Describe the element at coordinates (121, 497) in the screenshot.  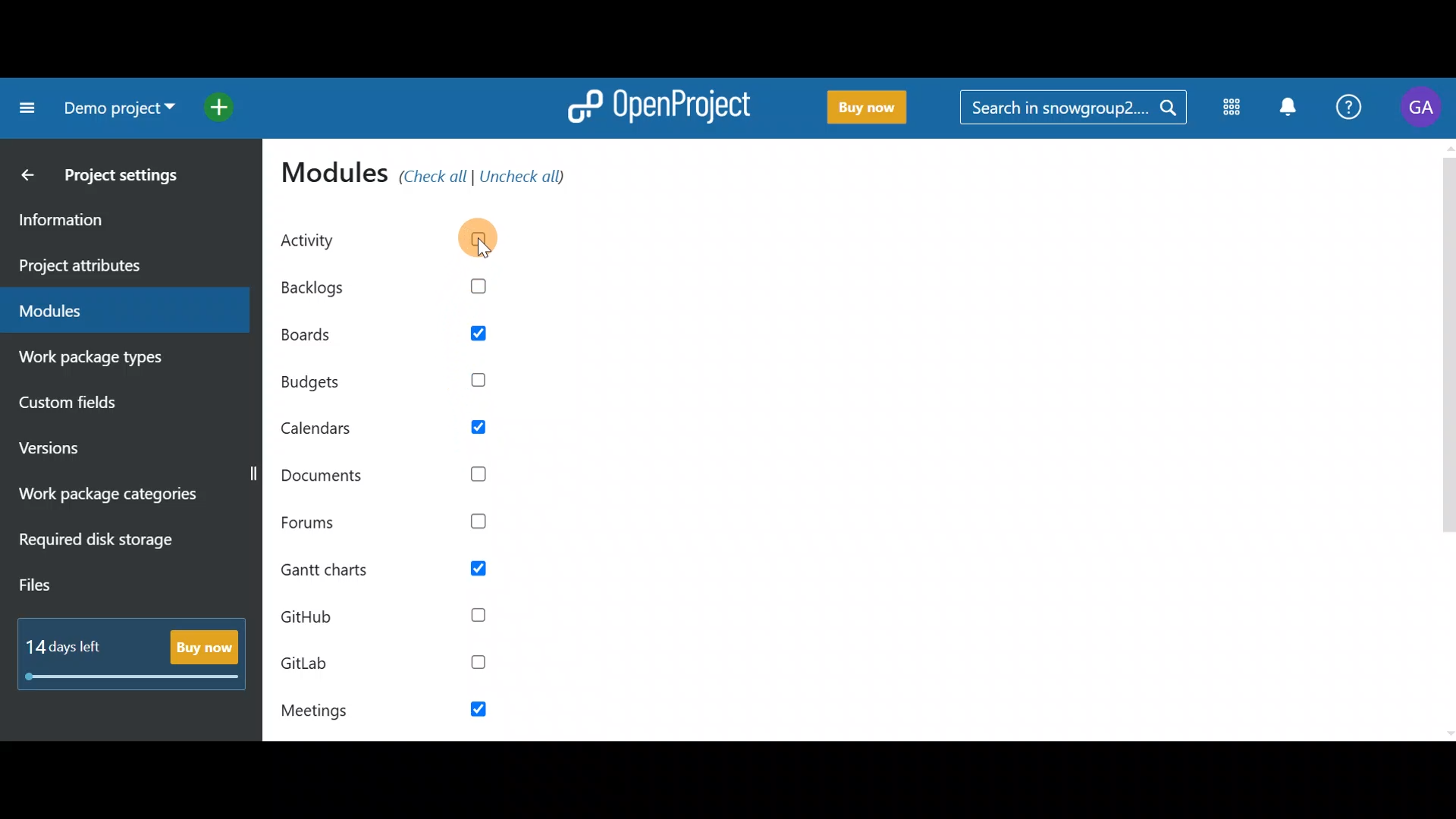
I see `Work package categories` at that location.